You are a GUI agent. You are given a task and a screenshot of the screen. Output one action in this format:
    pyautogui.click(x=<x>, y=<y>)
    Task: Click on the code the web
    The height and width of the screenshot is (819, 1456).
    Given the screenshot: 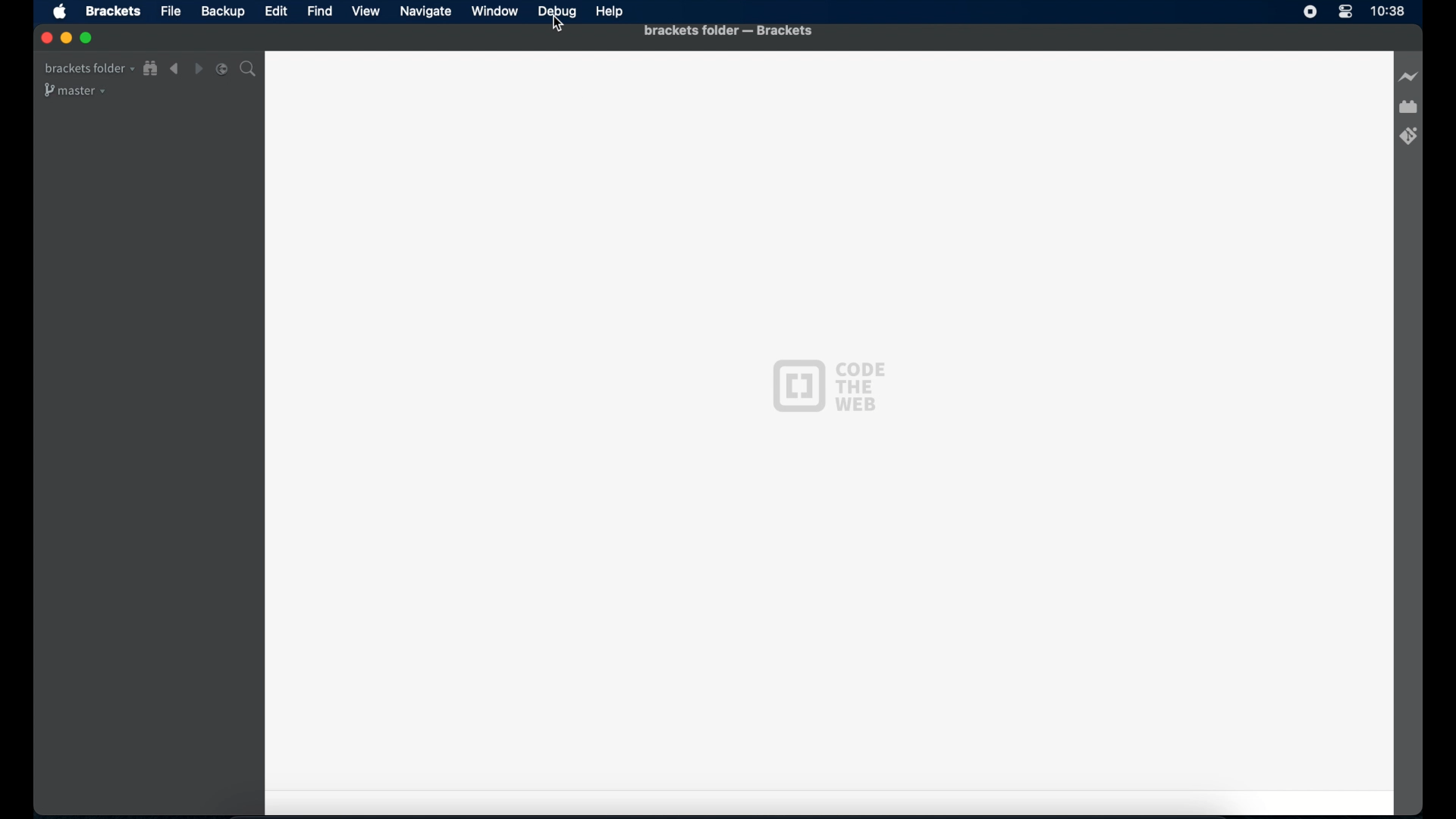 What is the action you would take?
    pyautogui.click(x=830, y=387)
    